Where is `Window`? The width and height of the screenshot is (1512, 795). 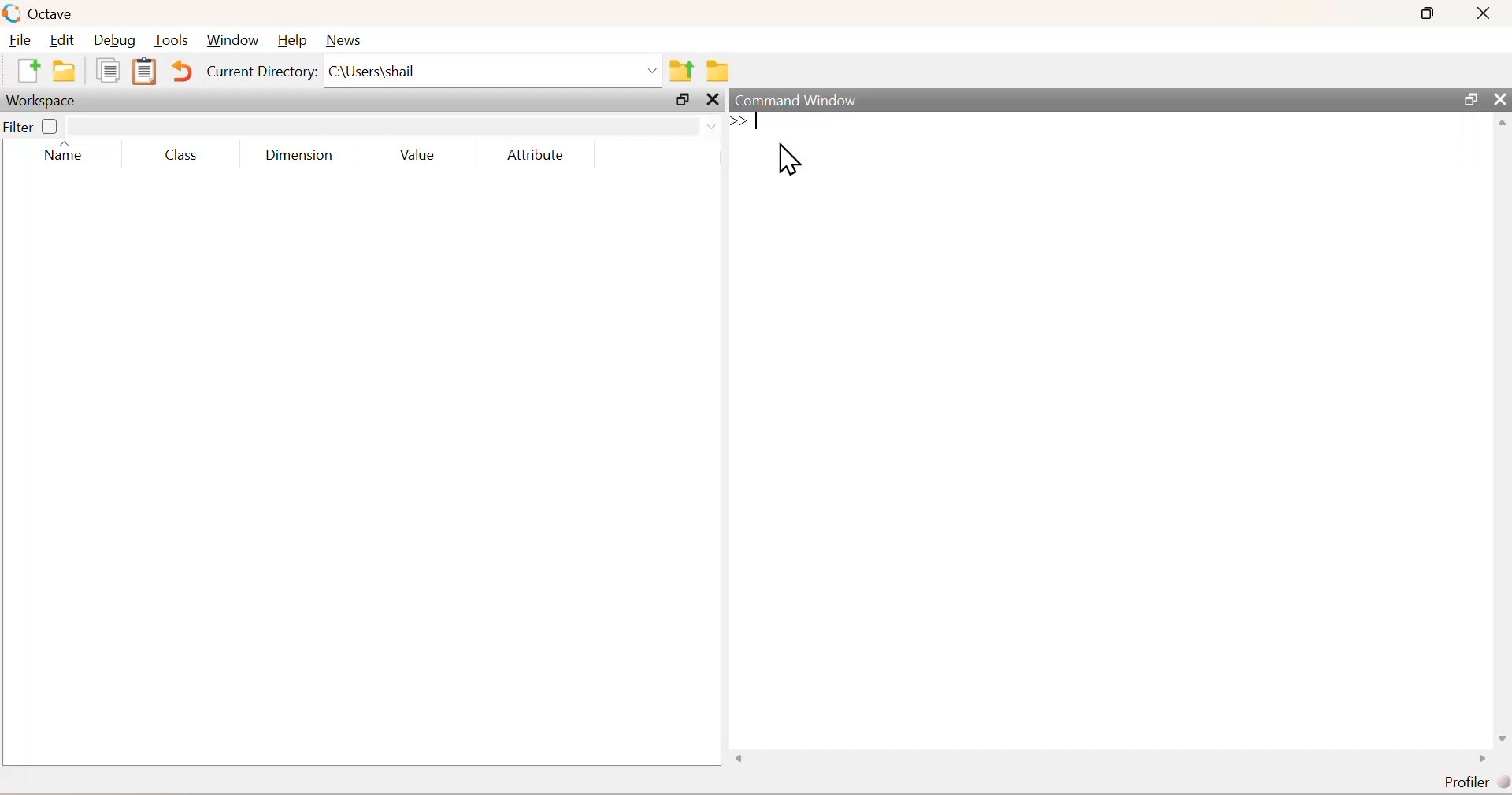
Window is located at coordinates (234, 39).